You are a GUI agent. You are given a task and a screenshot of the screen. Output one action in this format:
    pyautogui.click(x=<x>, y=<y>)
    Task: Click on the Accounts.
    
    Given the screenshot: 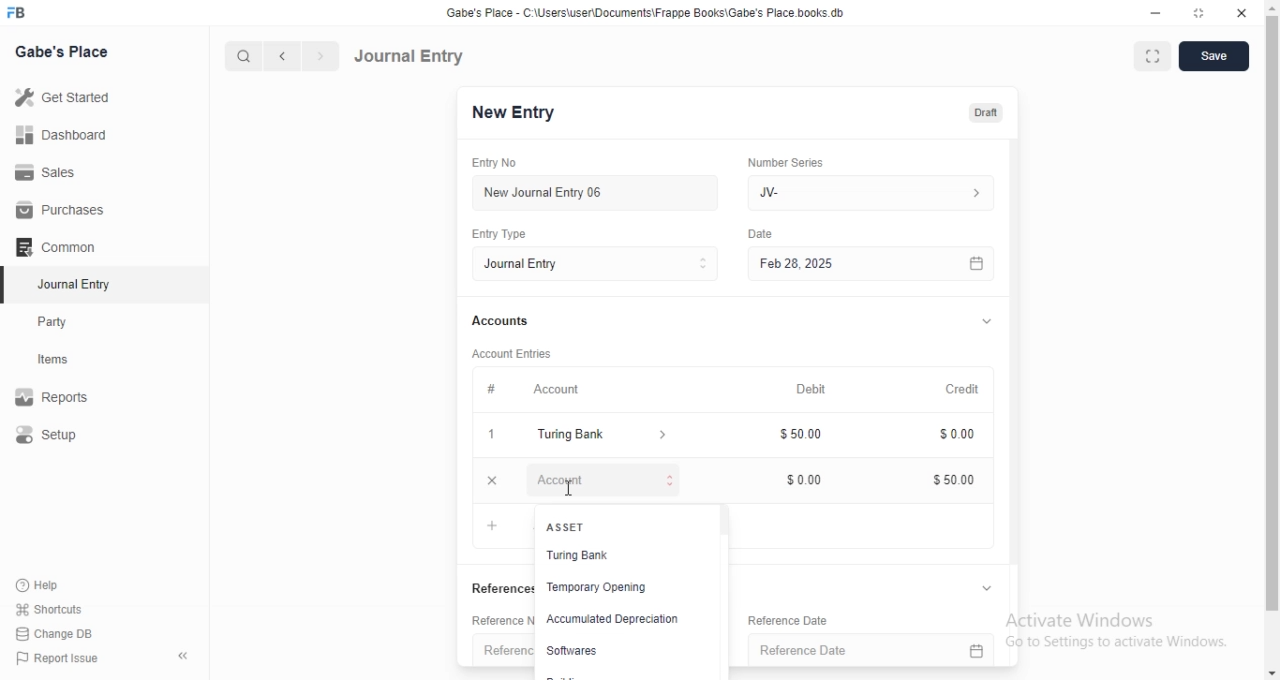 What is the action you would take?
    pyautogui.click(x=518, y=322)
    